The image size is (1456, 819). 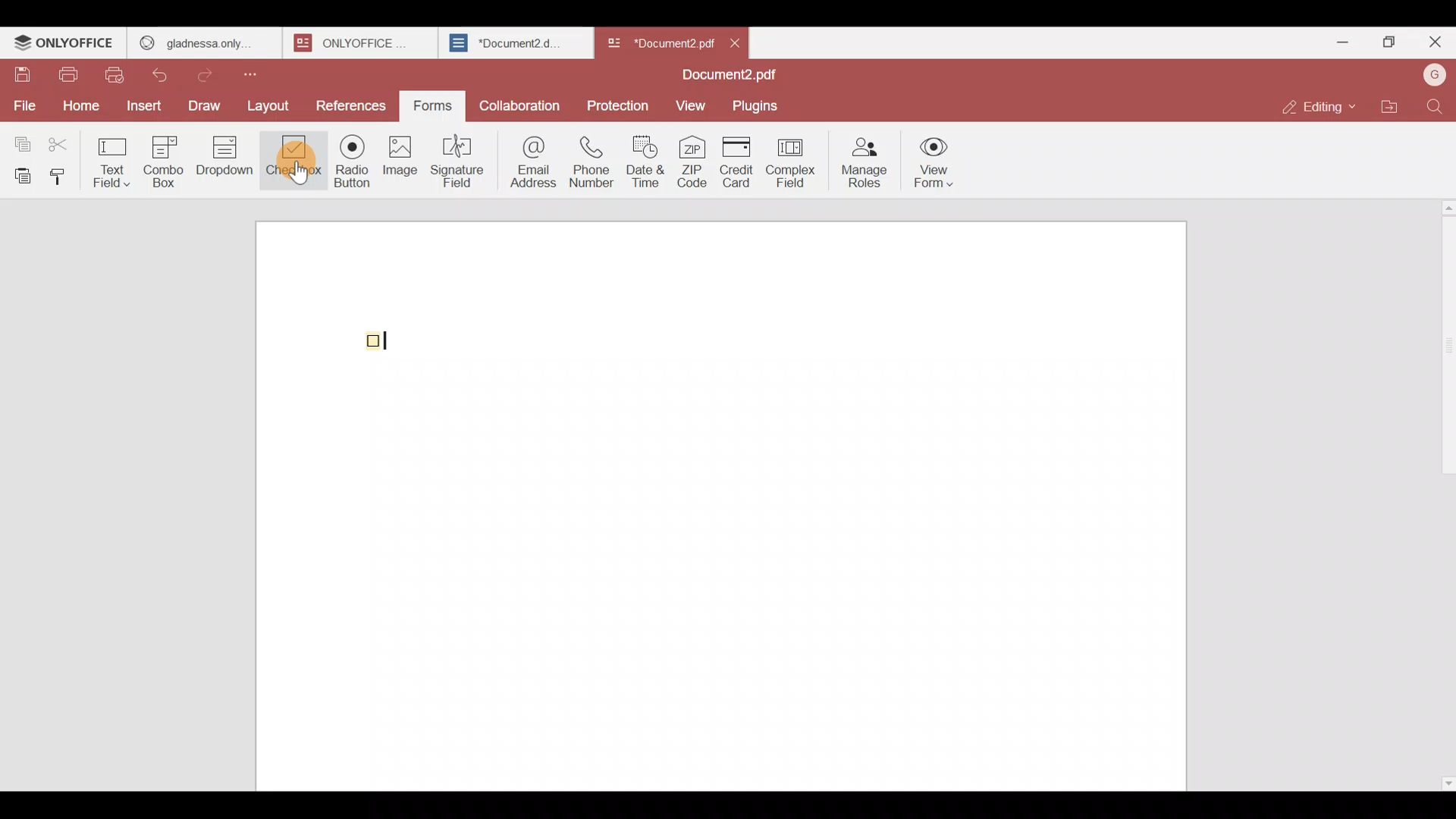 What do you see at coordinates (115, 158) in the screenshot?
I see `Text field` at bounding box center [115, 158].